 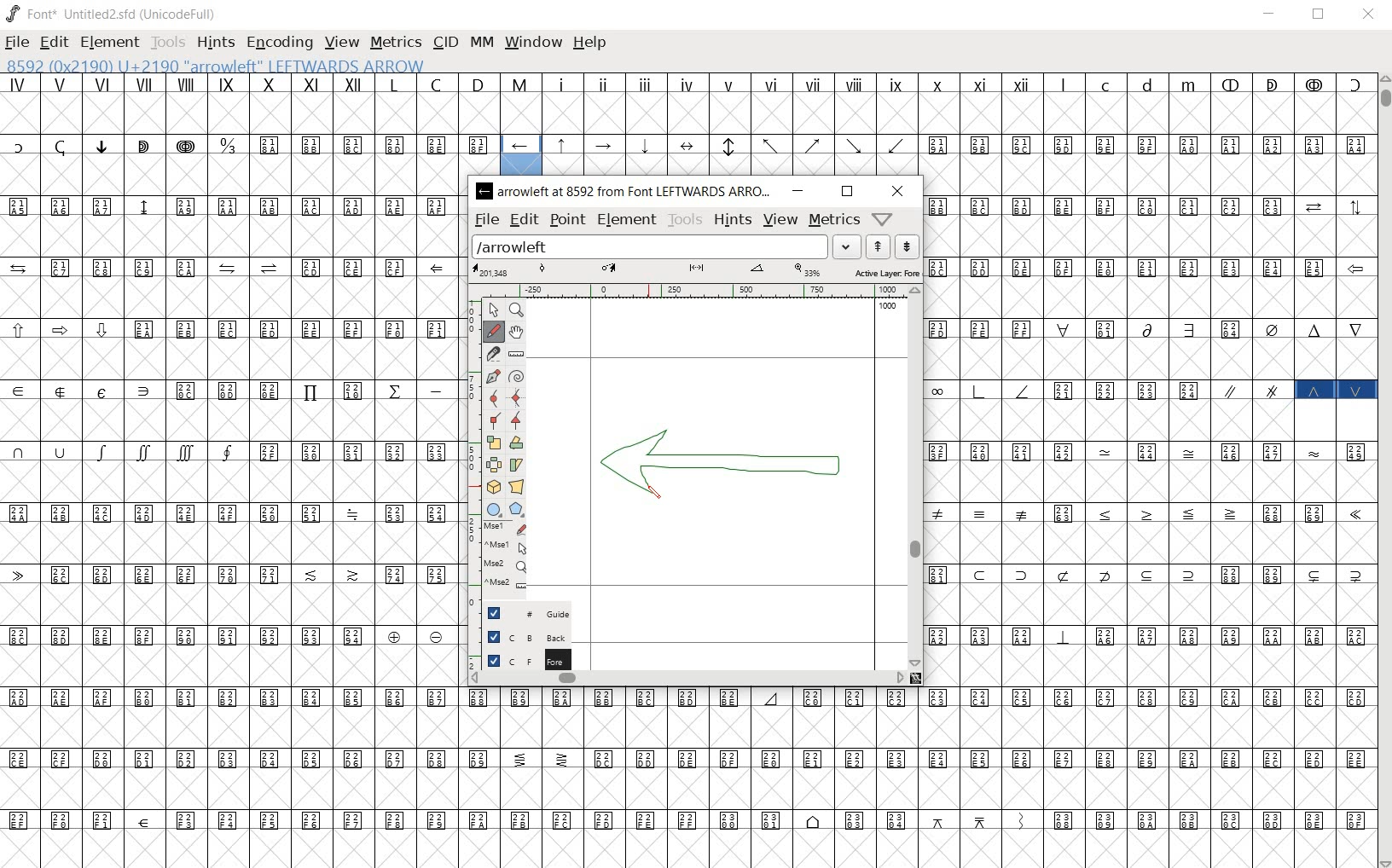 I want to click on Element, so click(x=110, y=43).